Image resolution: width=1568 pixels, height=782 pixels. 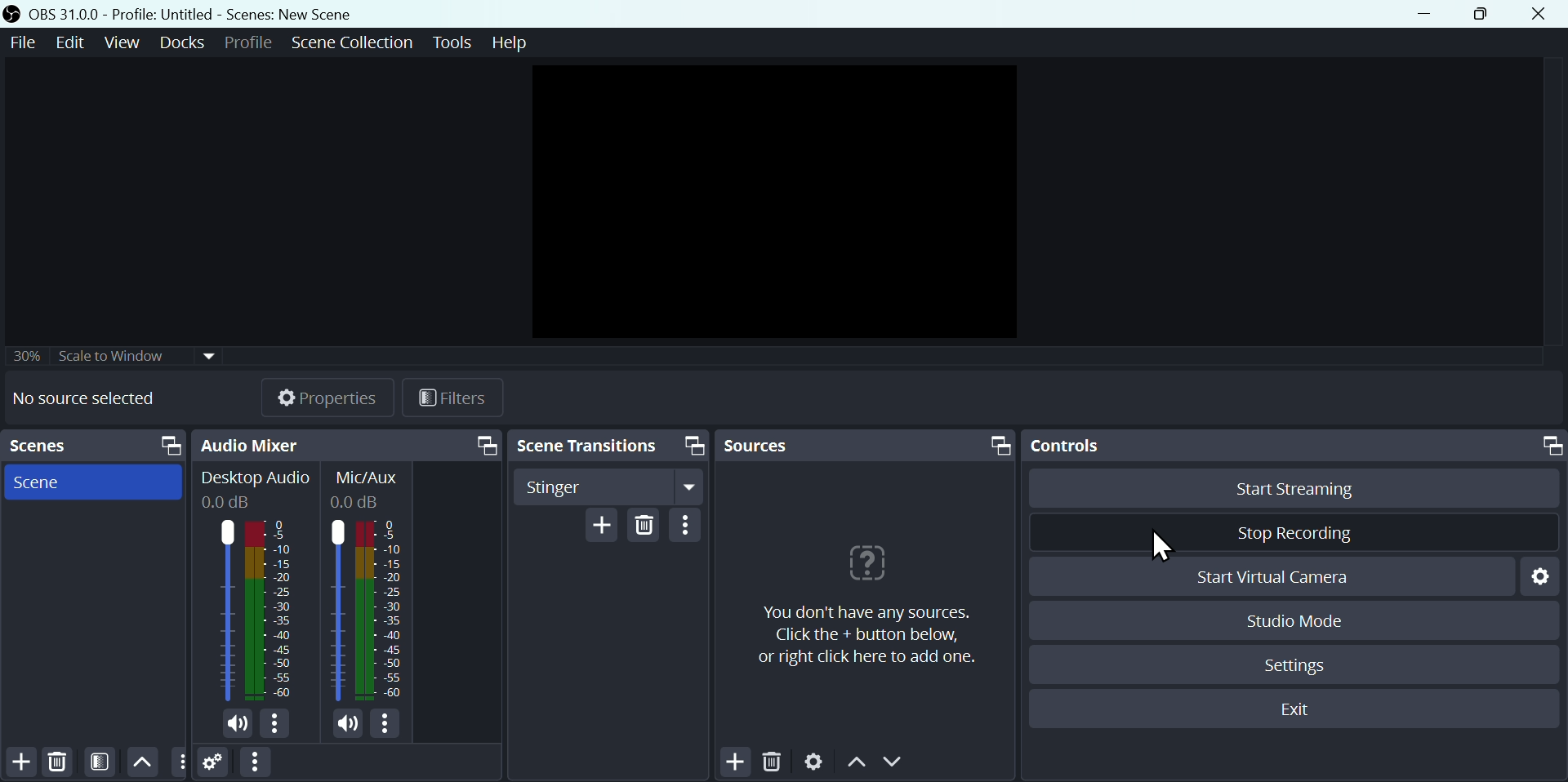 I want to click on speaker, so click(x=236, y=724).